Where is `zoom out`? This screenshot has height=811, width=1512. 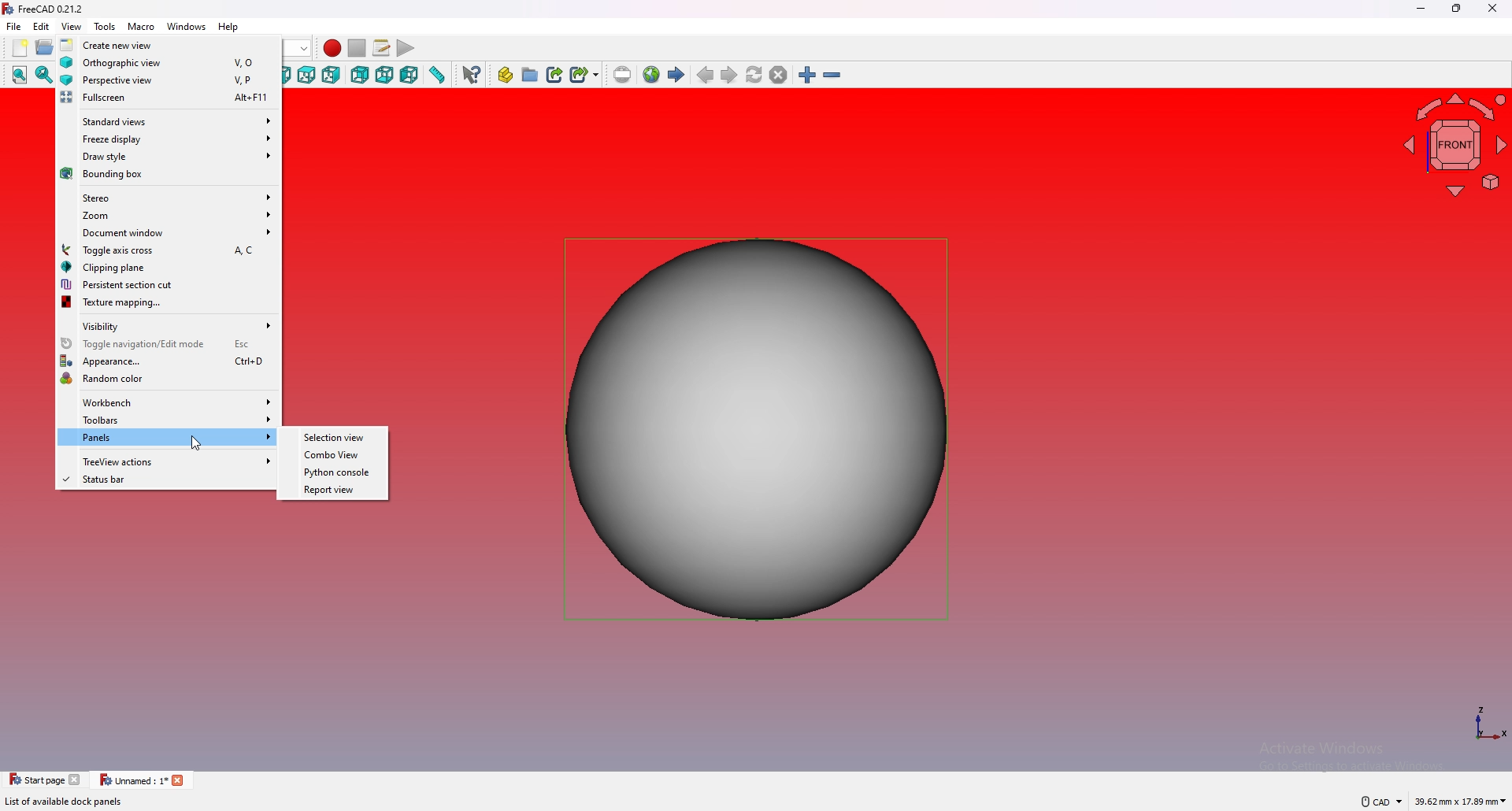 zoom out is located at coordinates (831, 75).